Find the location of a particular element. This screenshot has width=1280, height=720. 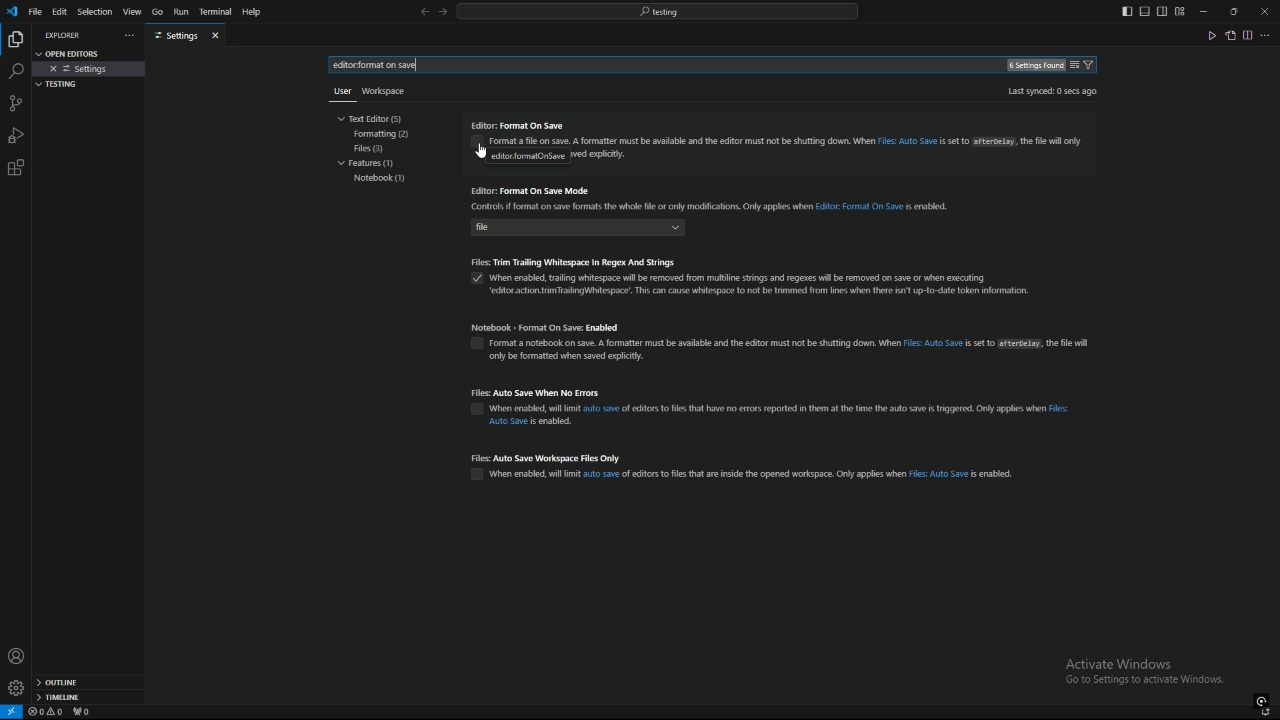

forward is located at coordinates (443, 13).